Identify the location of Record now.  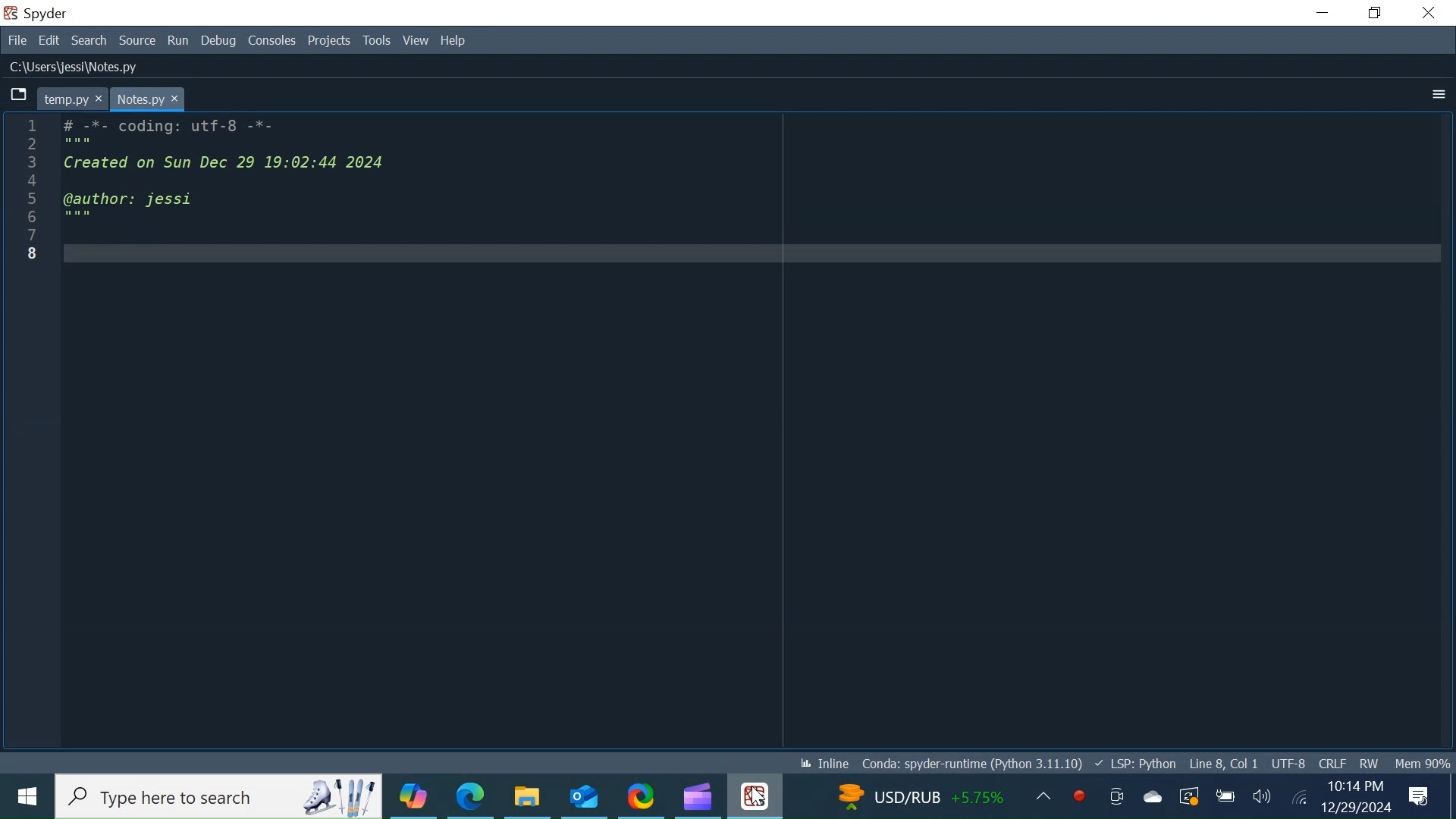
(1079, 795).